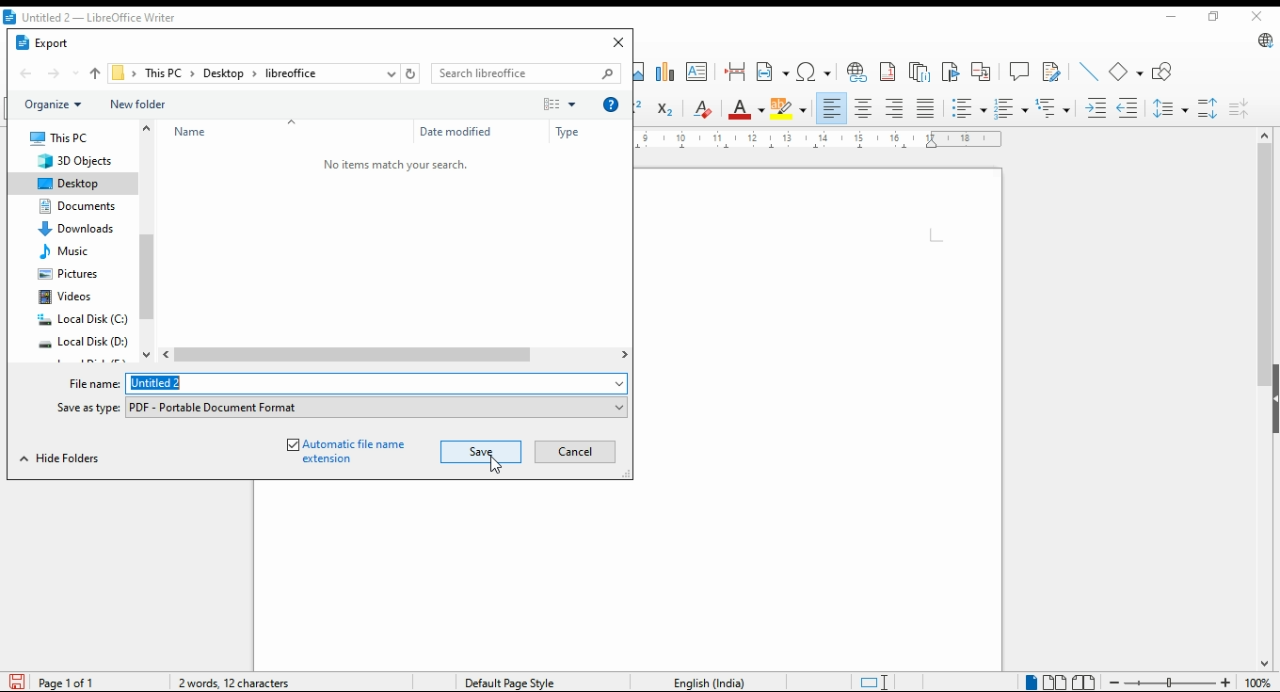  I want to click on new folder, so click(141, 105).